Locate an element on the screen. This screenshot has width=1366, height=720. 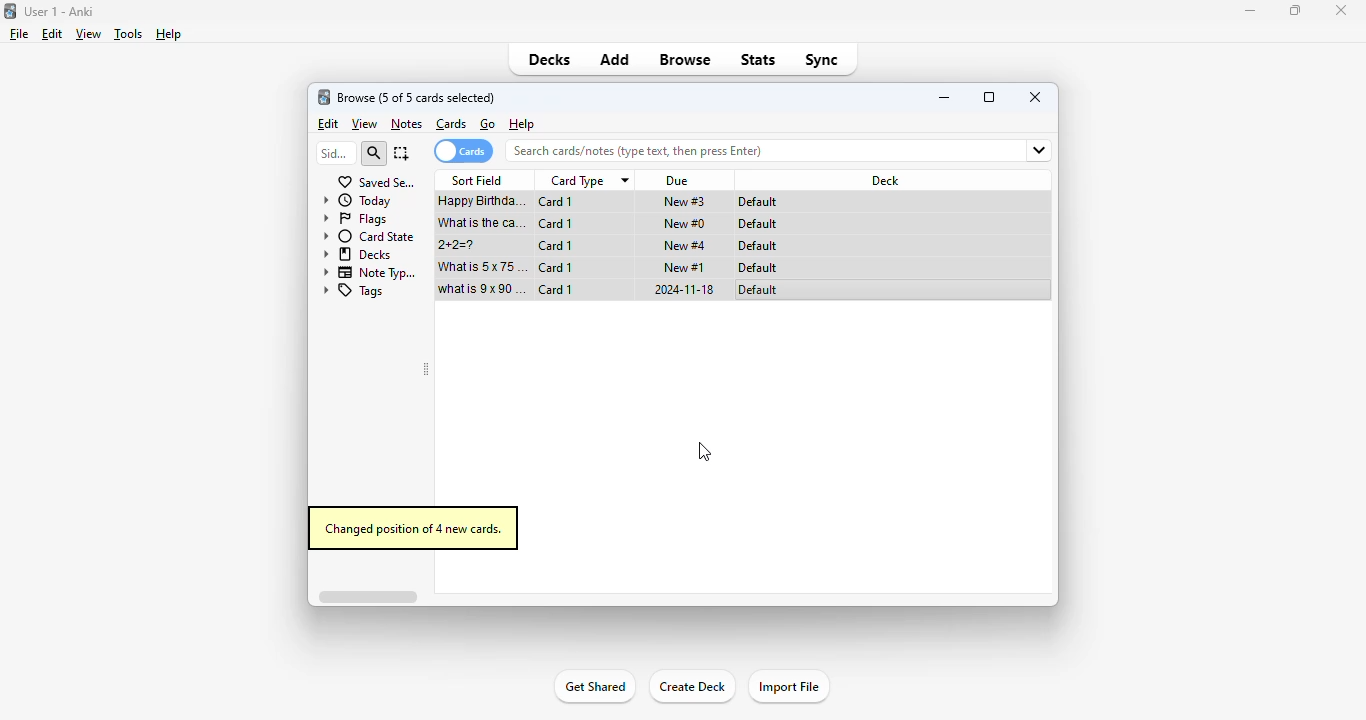
title is located at coordinates (58, 12).